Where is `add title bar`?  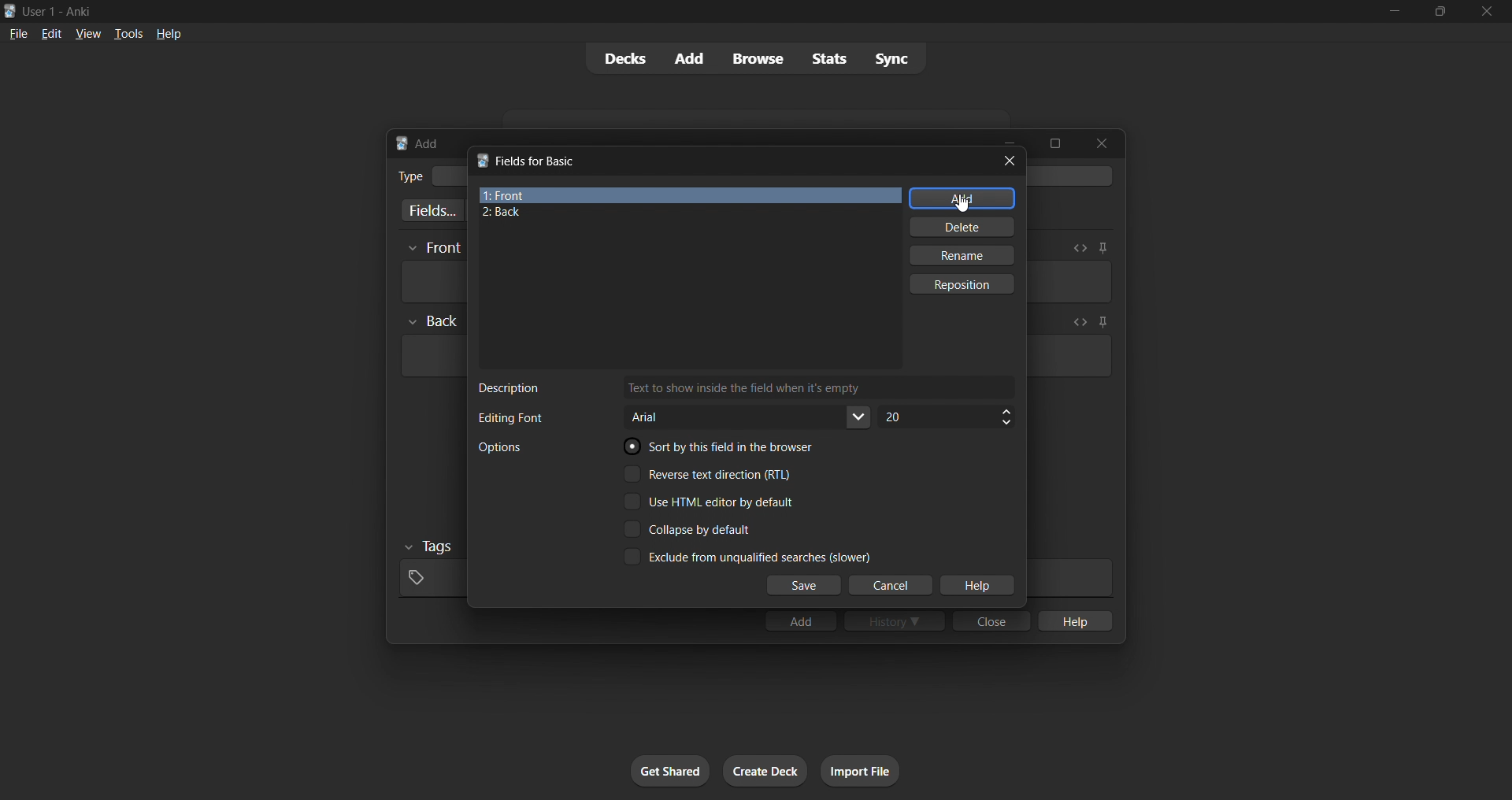
add title bar is located at coordinates (428, 143).